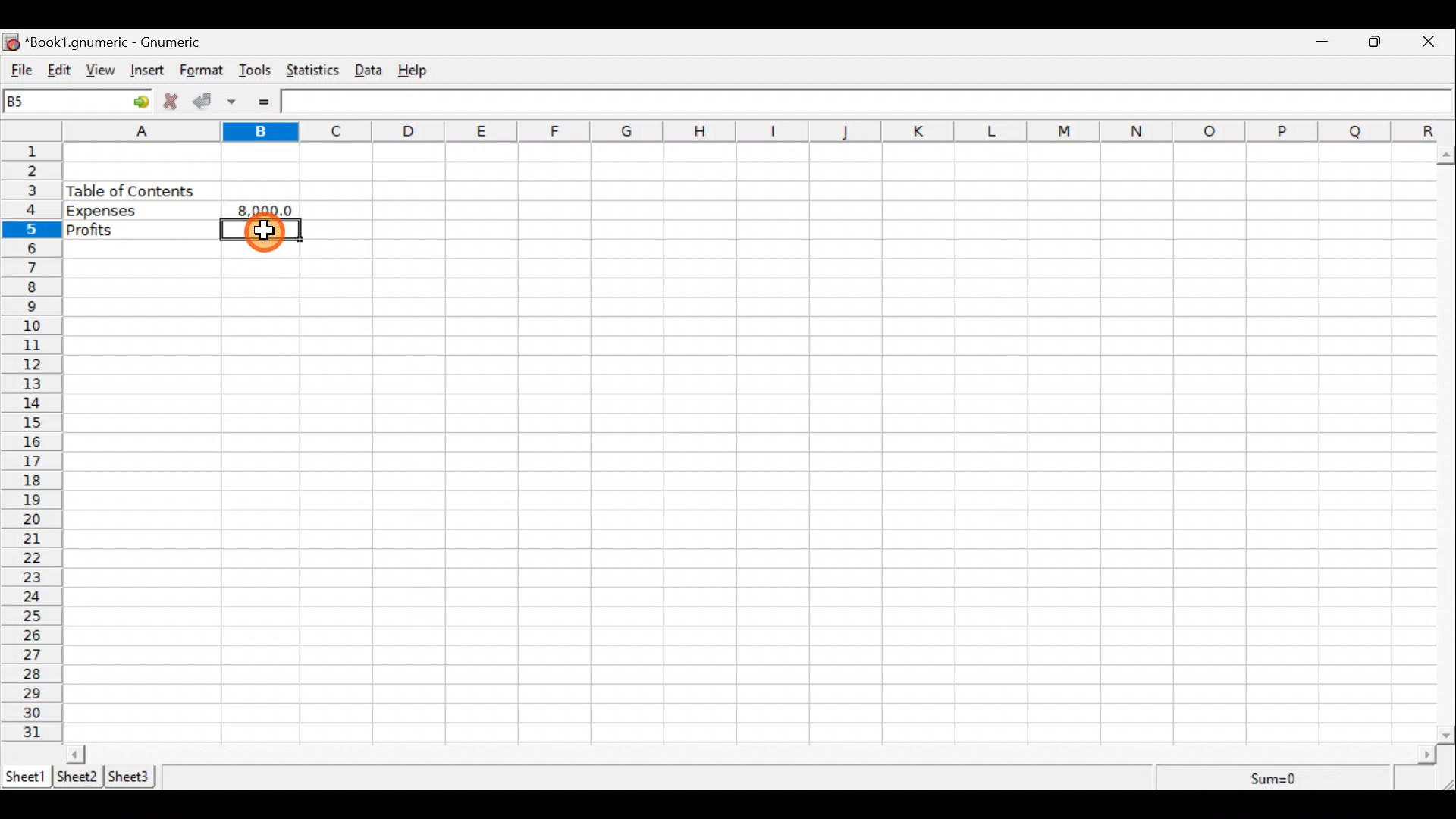 This screenshot has width=1456, height=819. Describe the element at coordinates (1447, 441) in the screenshot. I see `Scroll bar` at that location.